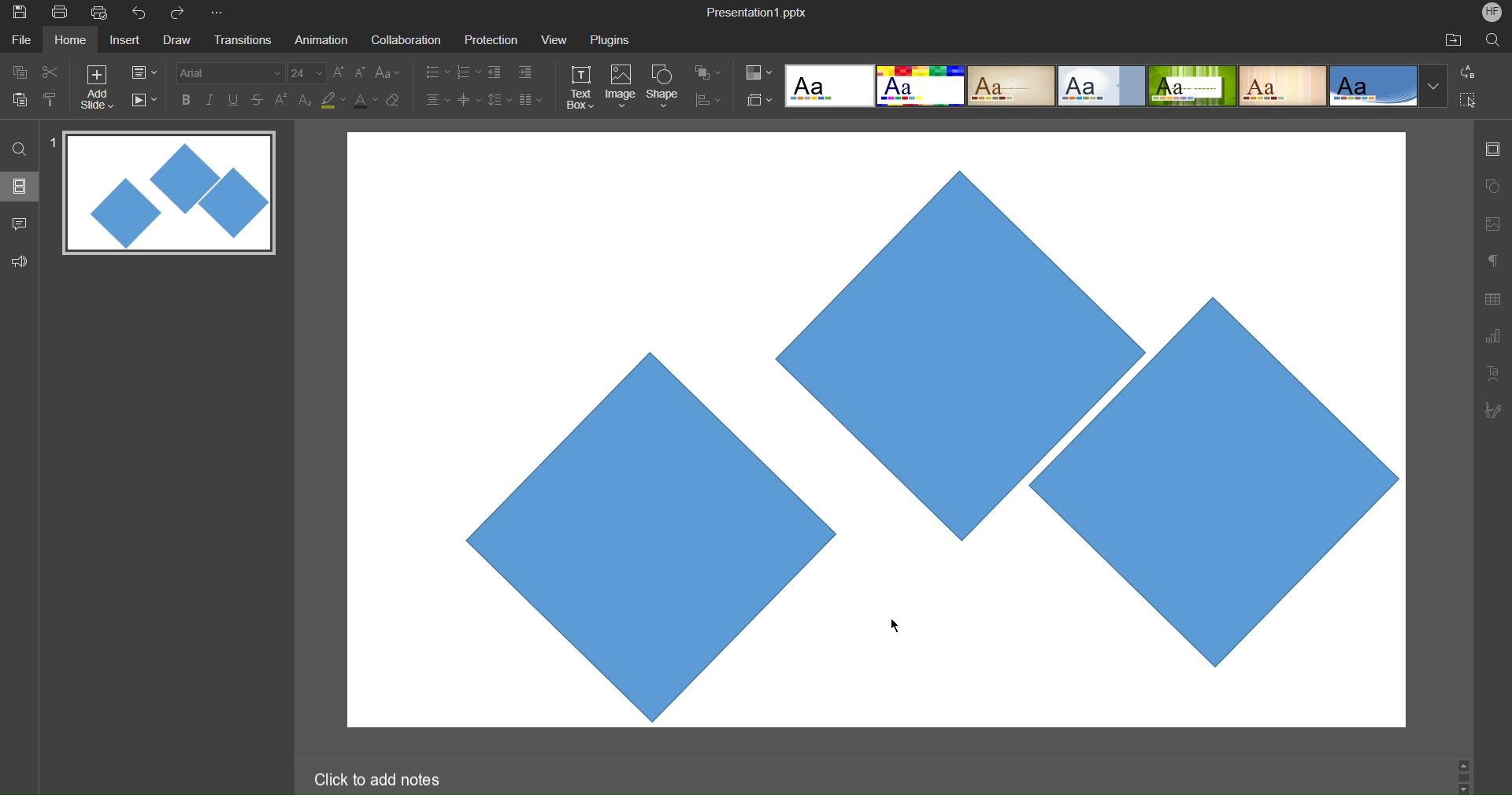  I want to click on Format painter, so click(53, 99).